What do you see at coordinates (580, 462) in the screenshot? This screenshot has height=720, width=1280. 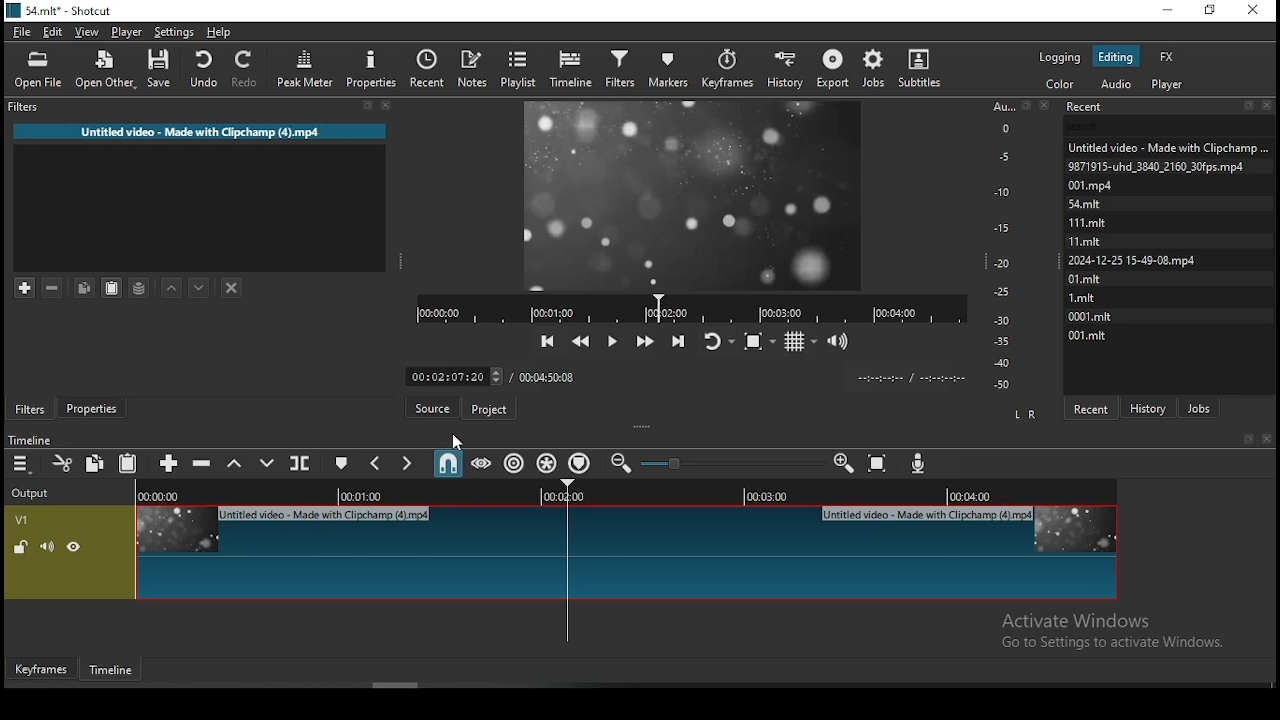 I see `ripple markers` at bounding box center [580, 462].